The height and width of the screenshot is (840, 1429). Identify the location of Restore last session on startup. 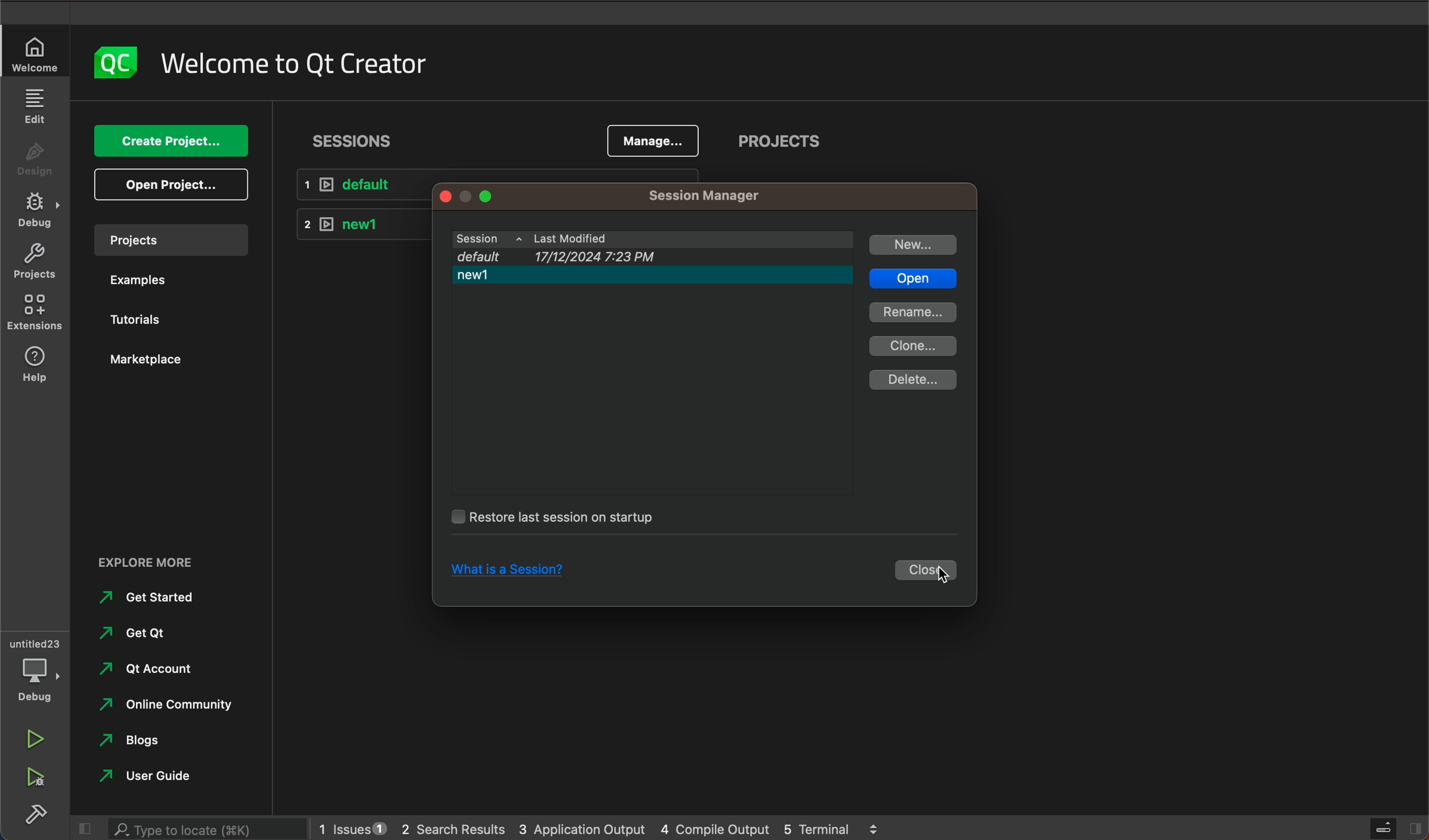
(554, 519).